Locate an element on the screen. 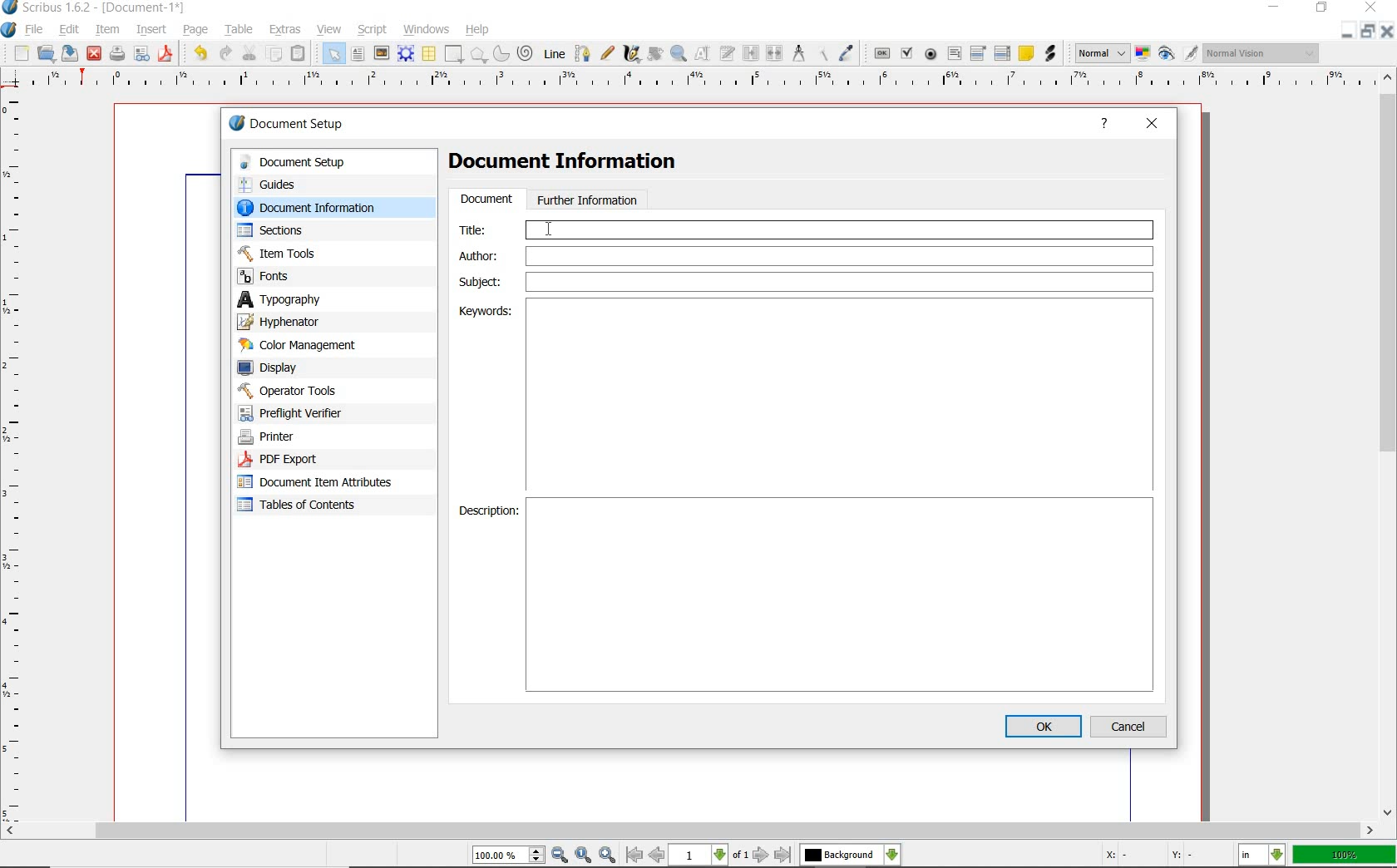 The height and width of the screenshot is (868, 1397). redo is located at coordinates (227, 54).